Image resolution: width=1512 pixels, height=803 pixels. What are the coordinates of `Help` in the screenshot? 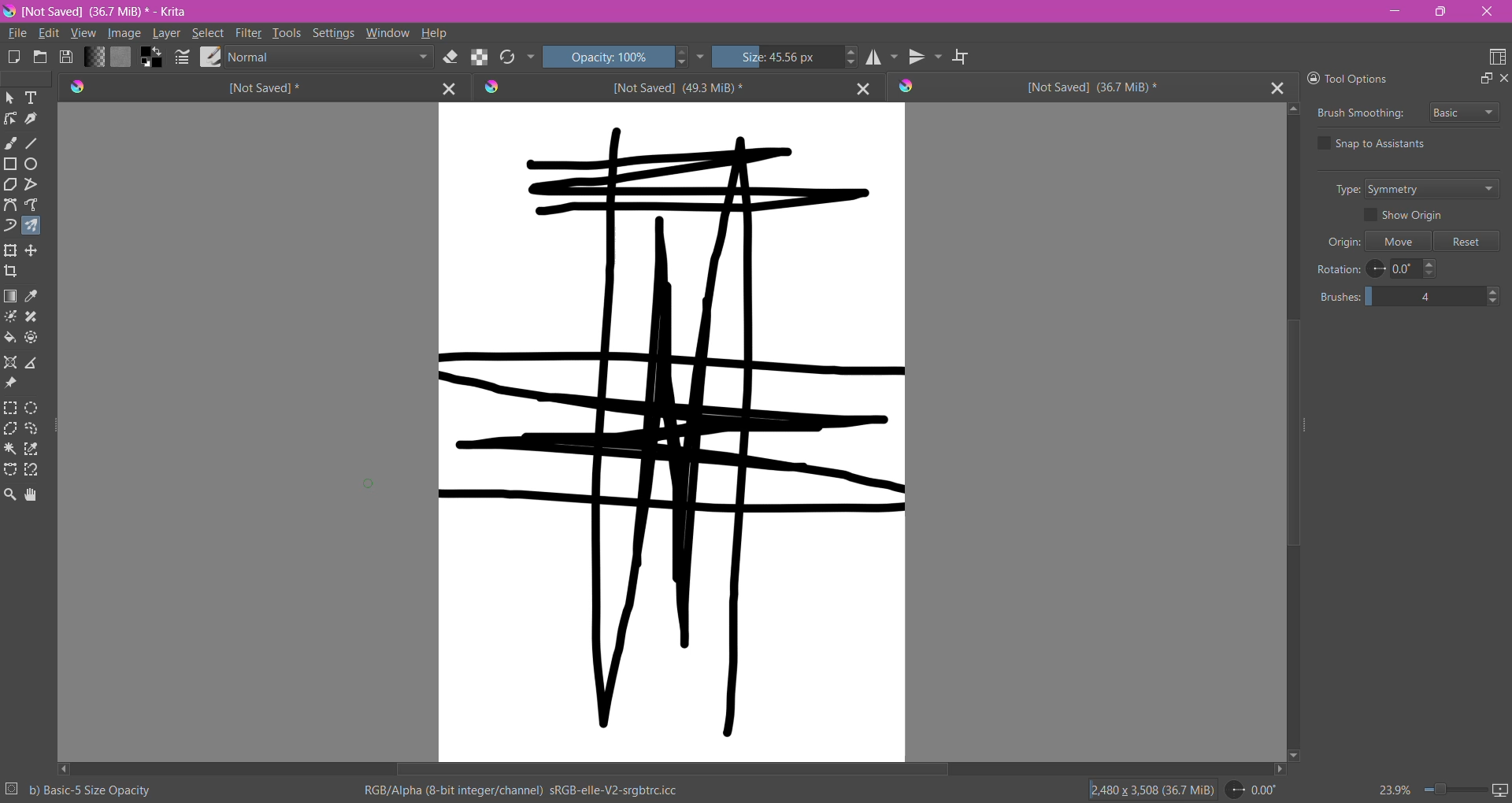 It's located at (435, 33).